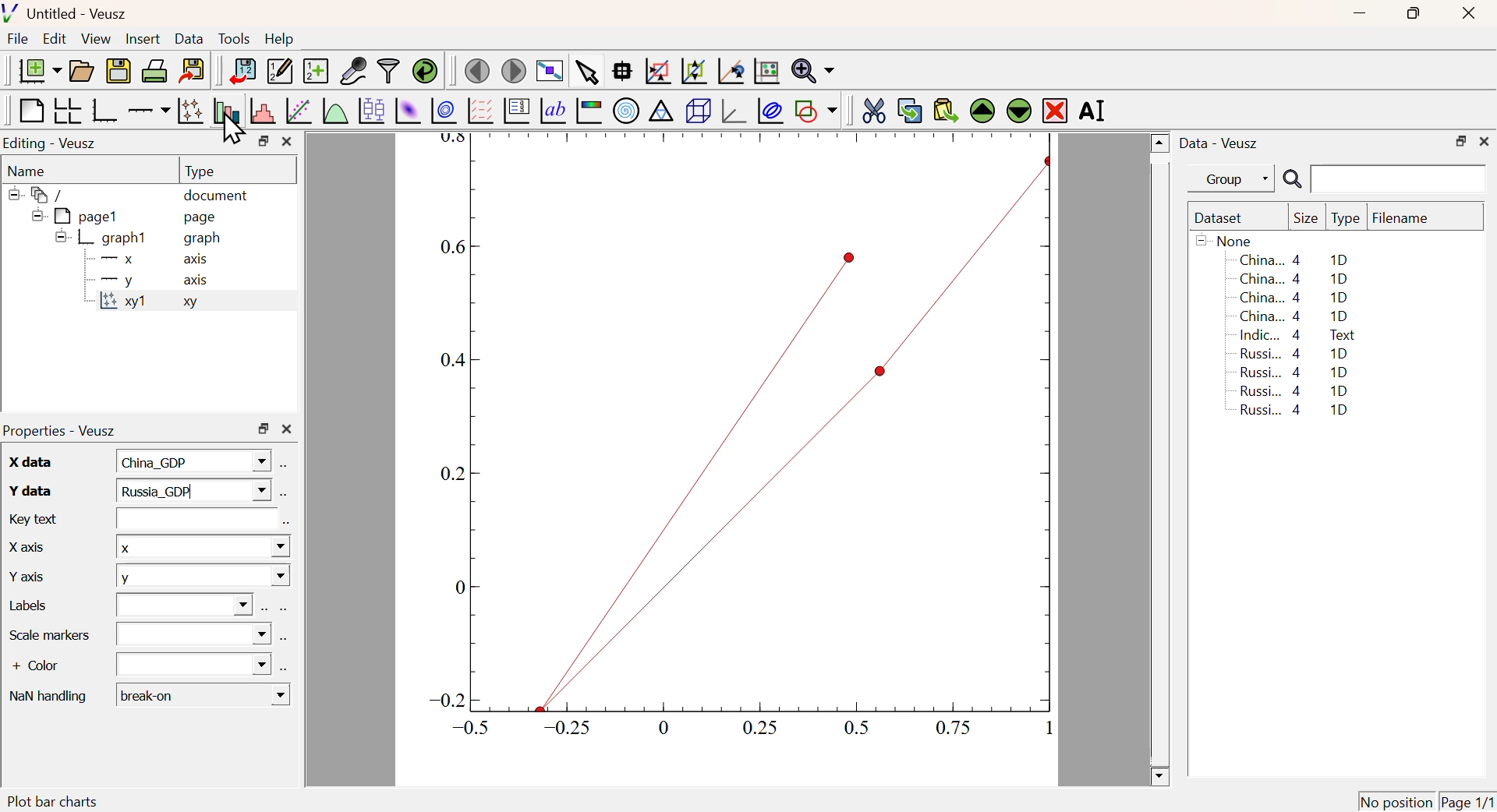  I want to click on Editing - Veusz, so click(52, 144).